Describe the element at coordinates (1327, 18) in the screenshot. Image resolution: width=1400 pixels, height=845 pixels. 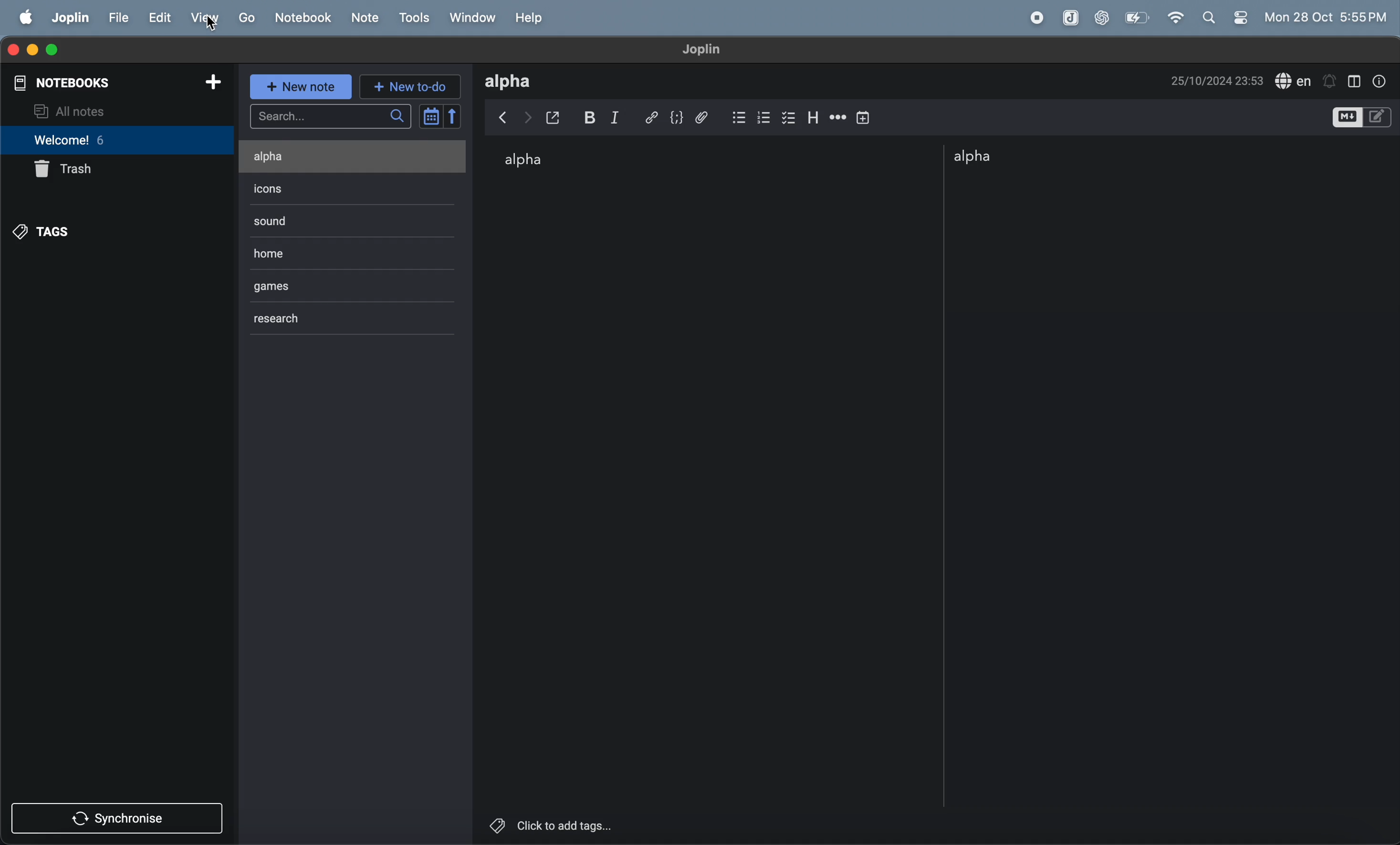
I see `Mon 28 Oct 5:55PM` at that location.